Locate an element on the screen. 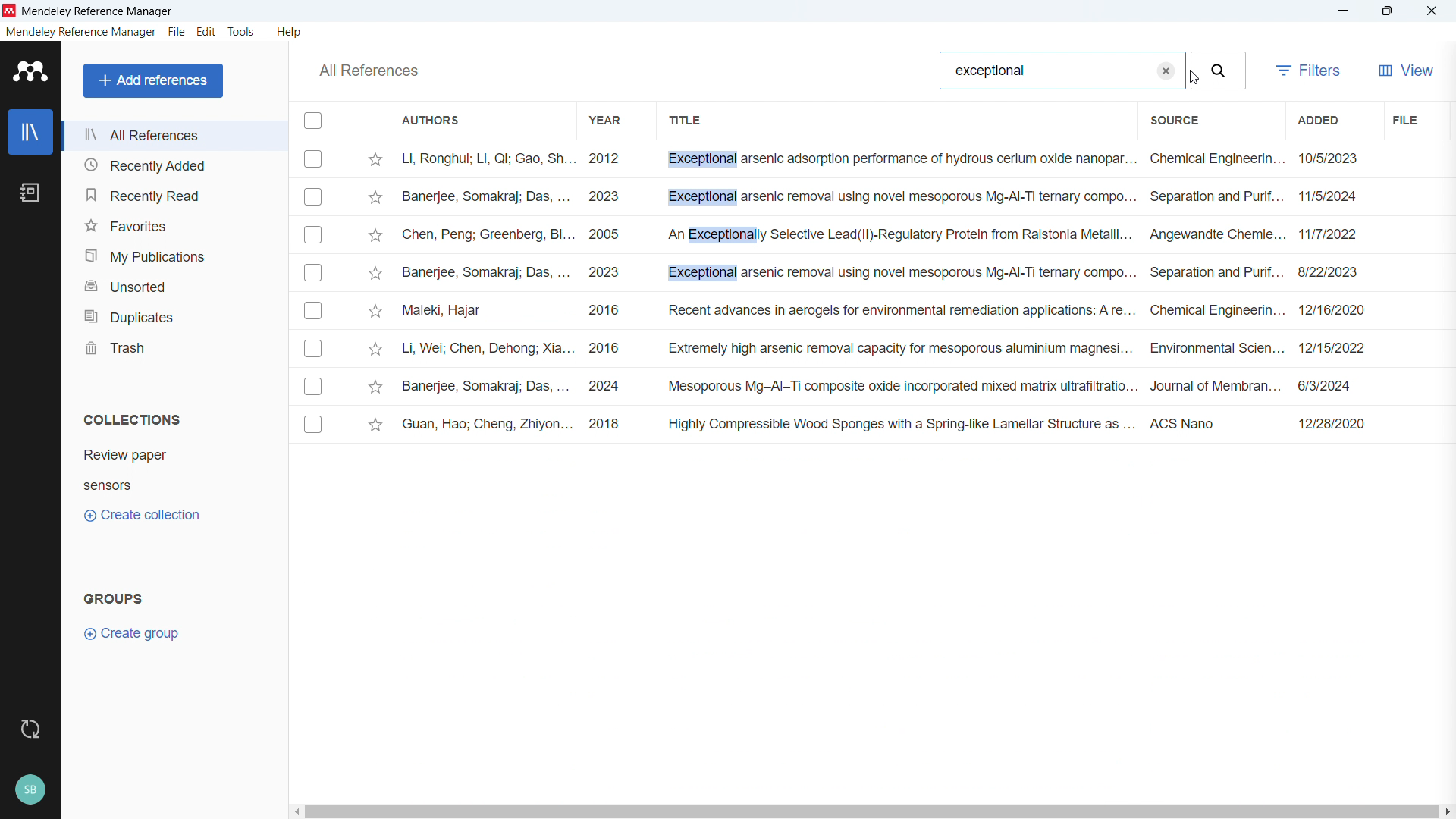 The height and width of the screenshot is (819, 1456). Recently added  is located at coordinates (174, 165).